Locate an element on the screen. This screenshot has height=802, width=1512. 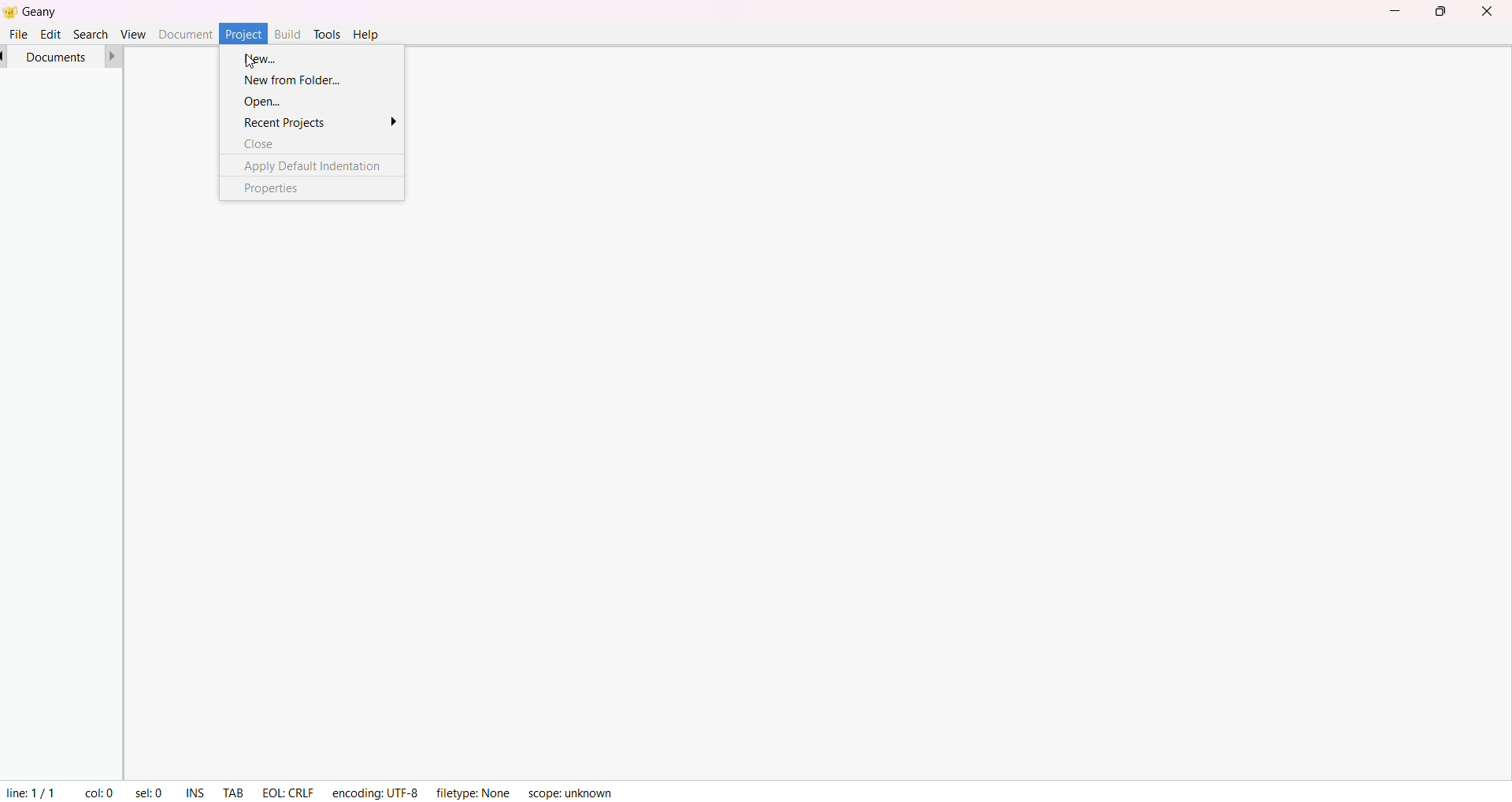
minimize is located at coordinates (1392, 9).